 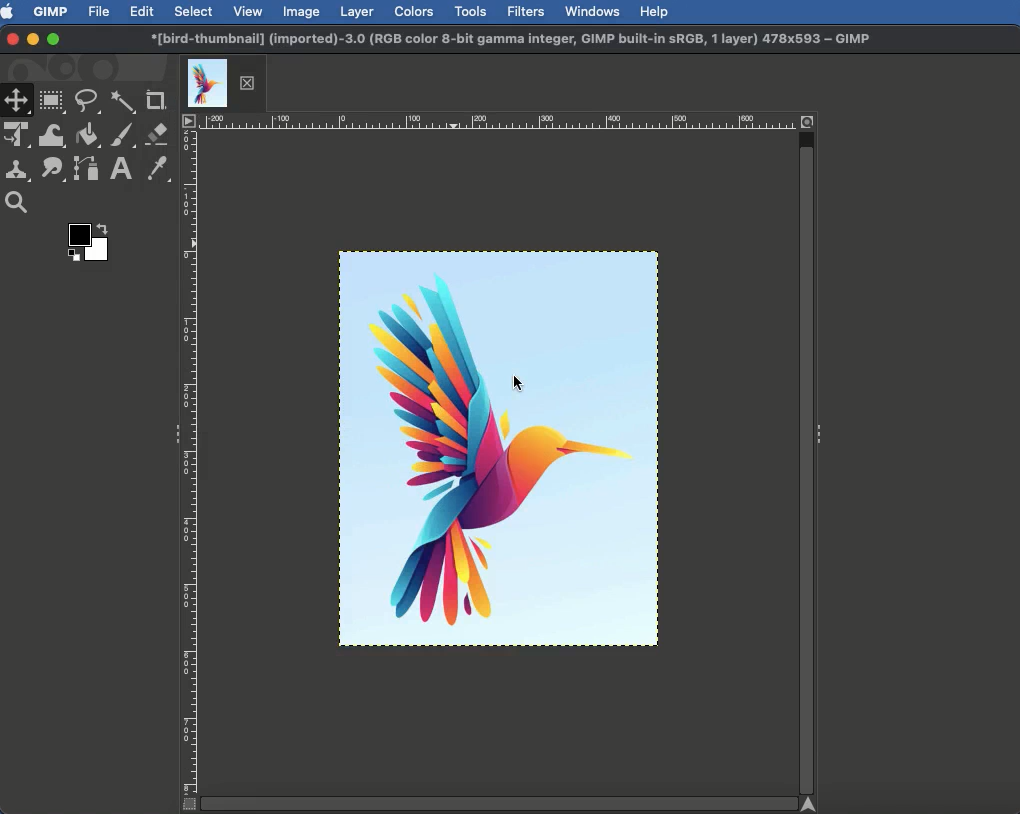 What do you see at coordinates (504, 120) in the screenshot?
I see `Ruler` at bounding box center [504, 120].